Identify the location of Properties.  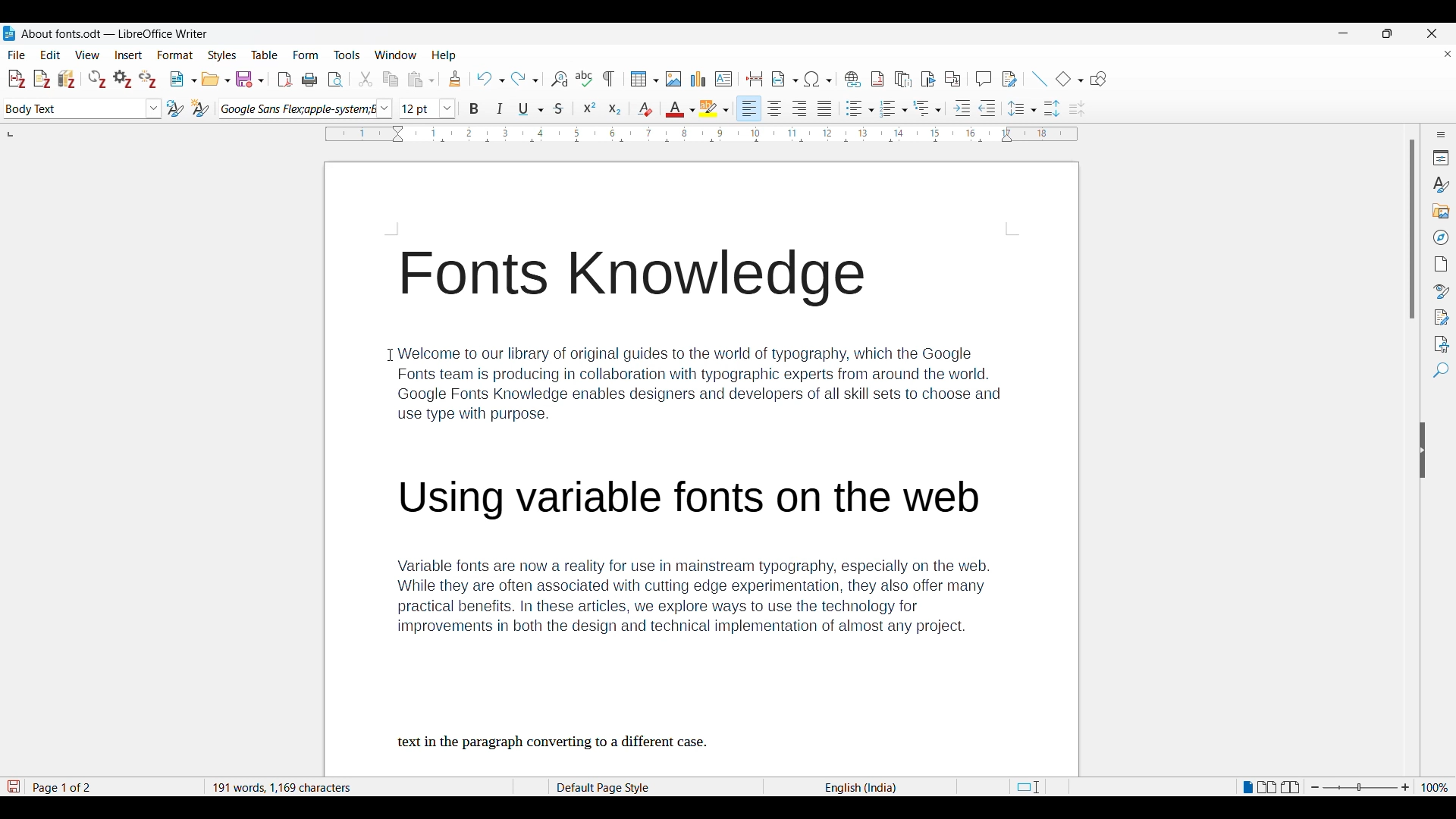
(1442, 158).